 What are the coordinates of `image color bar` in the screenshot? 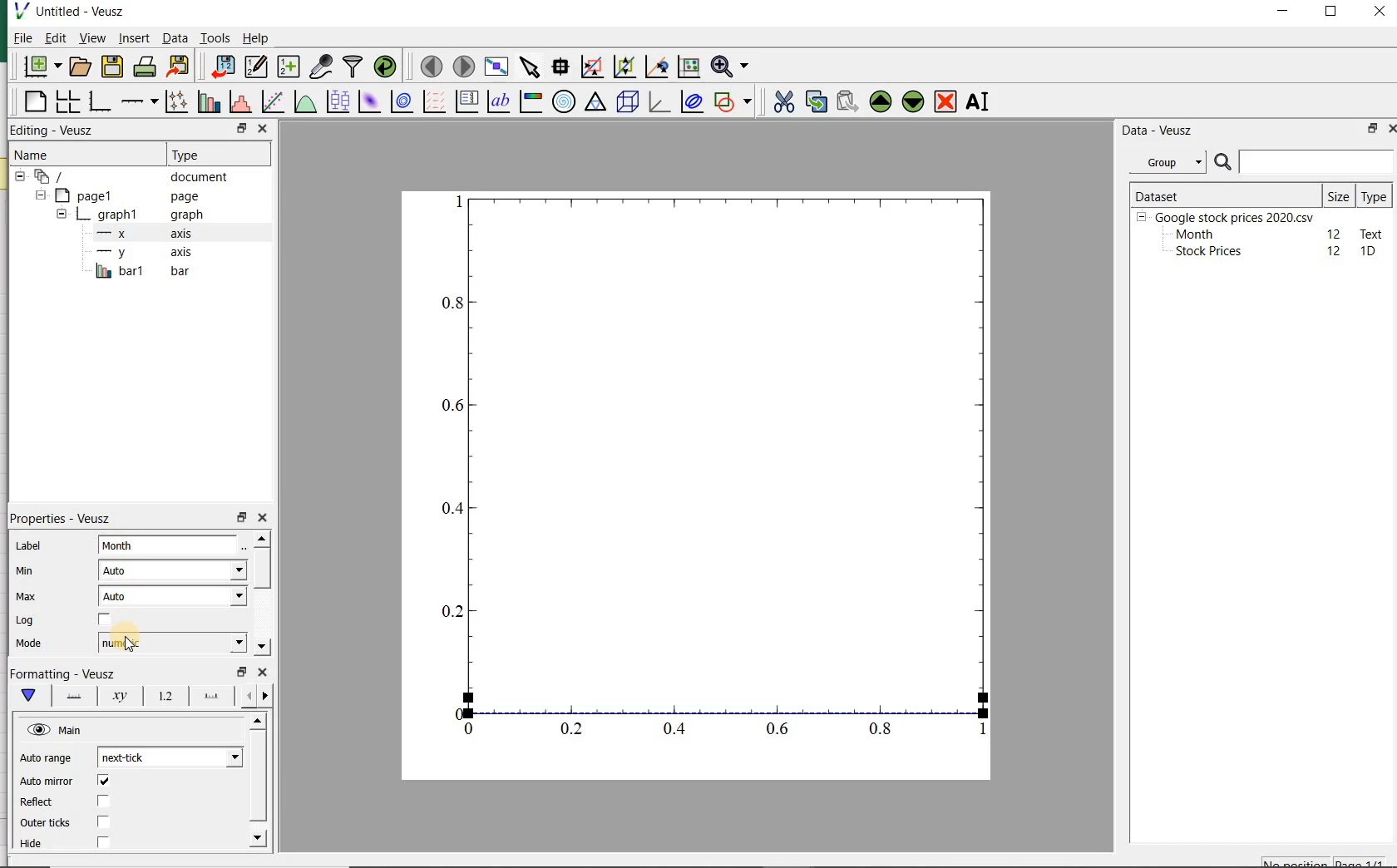 It's located at (529, 101).